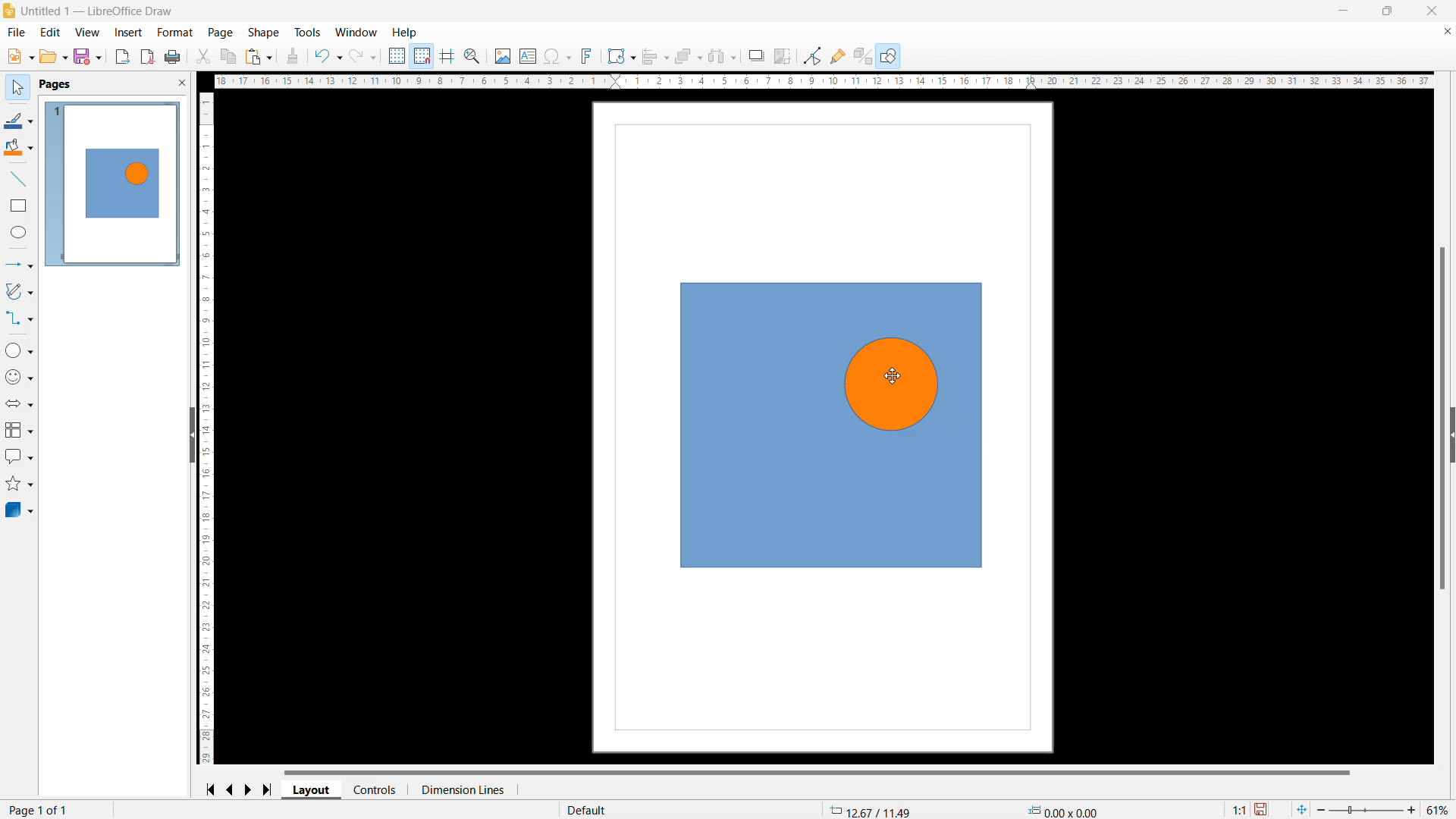 The width and height of the screenshot is (1456, 819). I want to click on cursor, so click(899, 380).